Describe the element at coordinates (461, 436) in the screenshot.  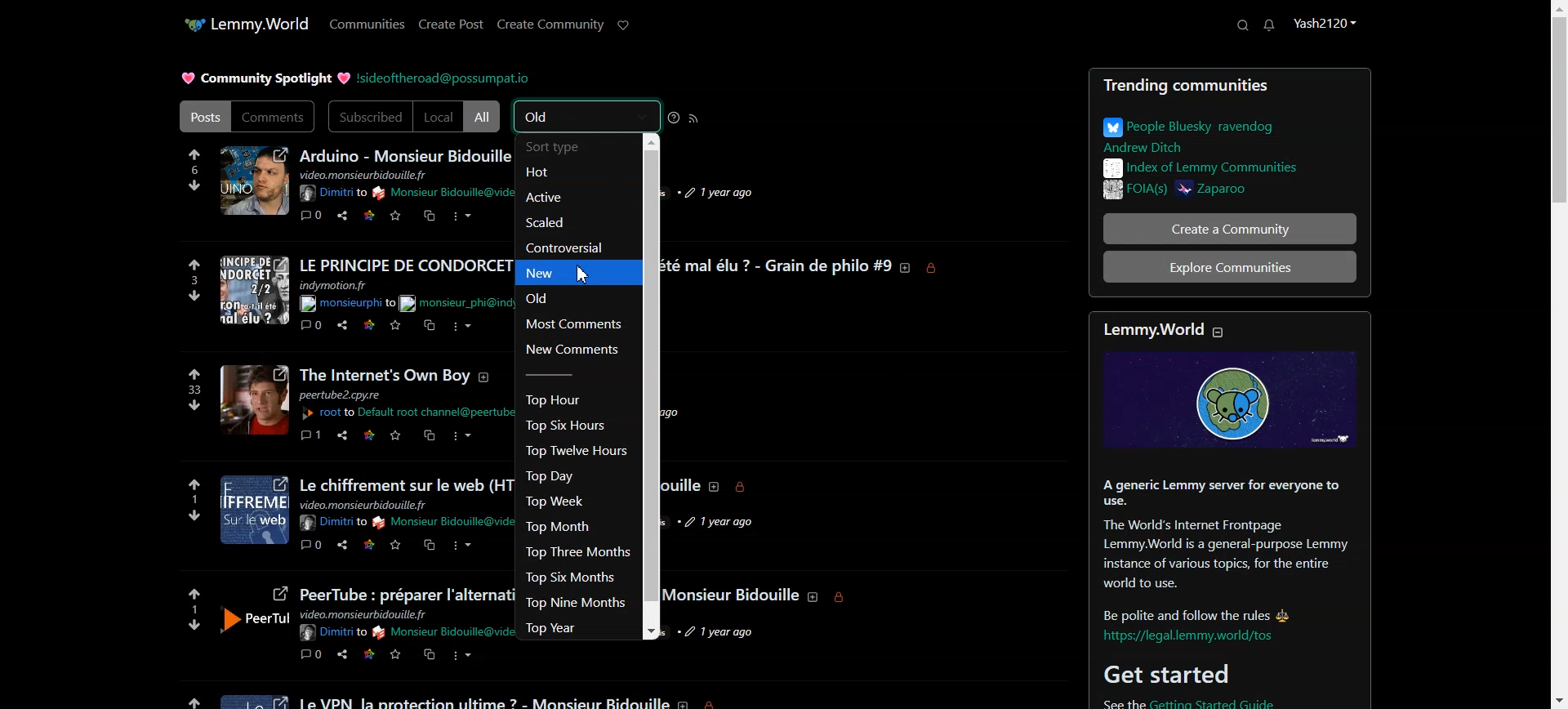
I see `` at that location.